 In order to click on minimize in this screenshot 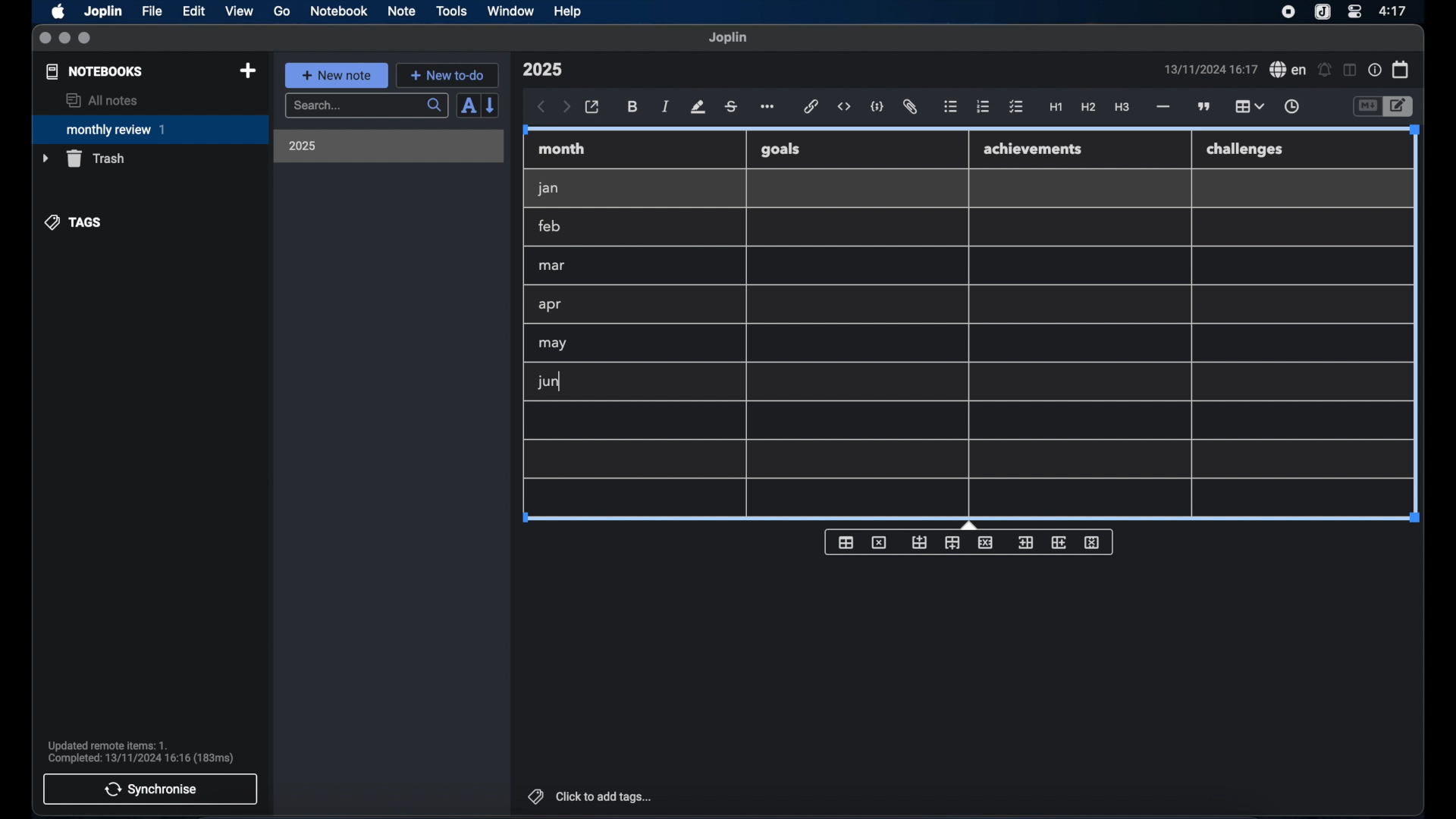, I will do `click(64, 39)`.